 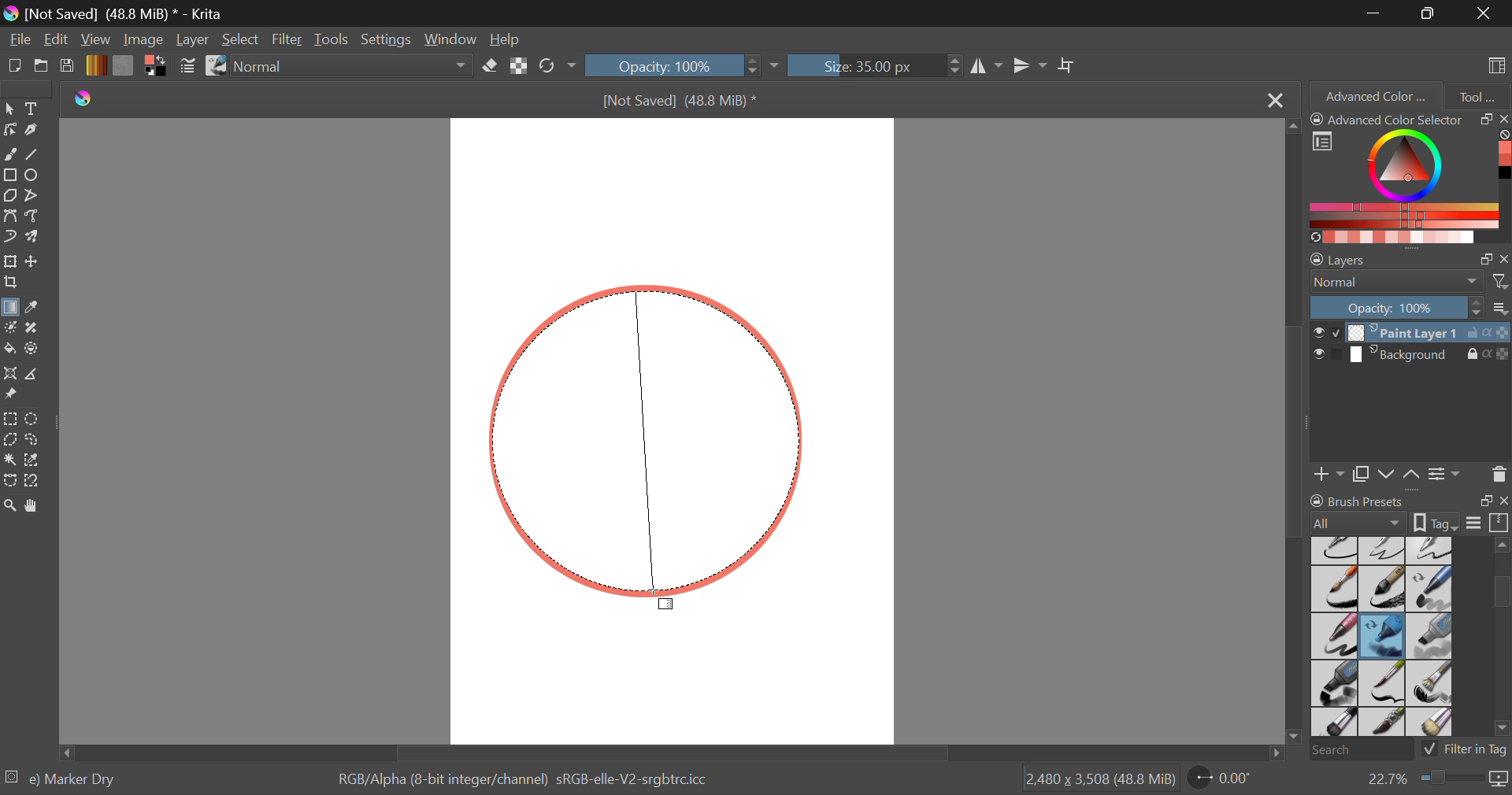 I want to click on Bezier Curve Selection, so click(x=9, y=481).